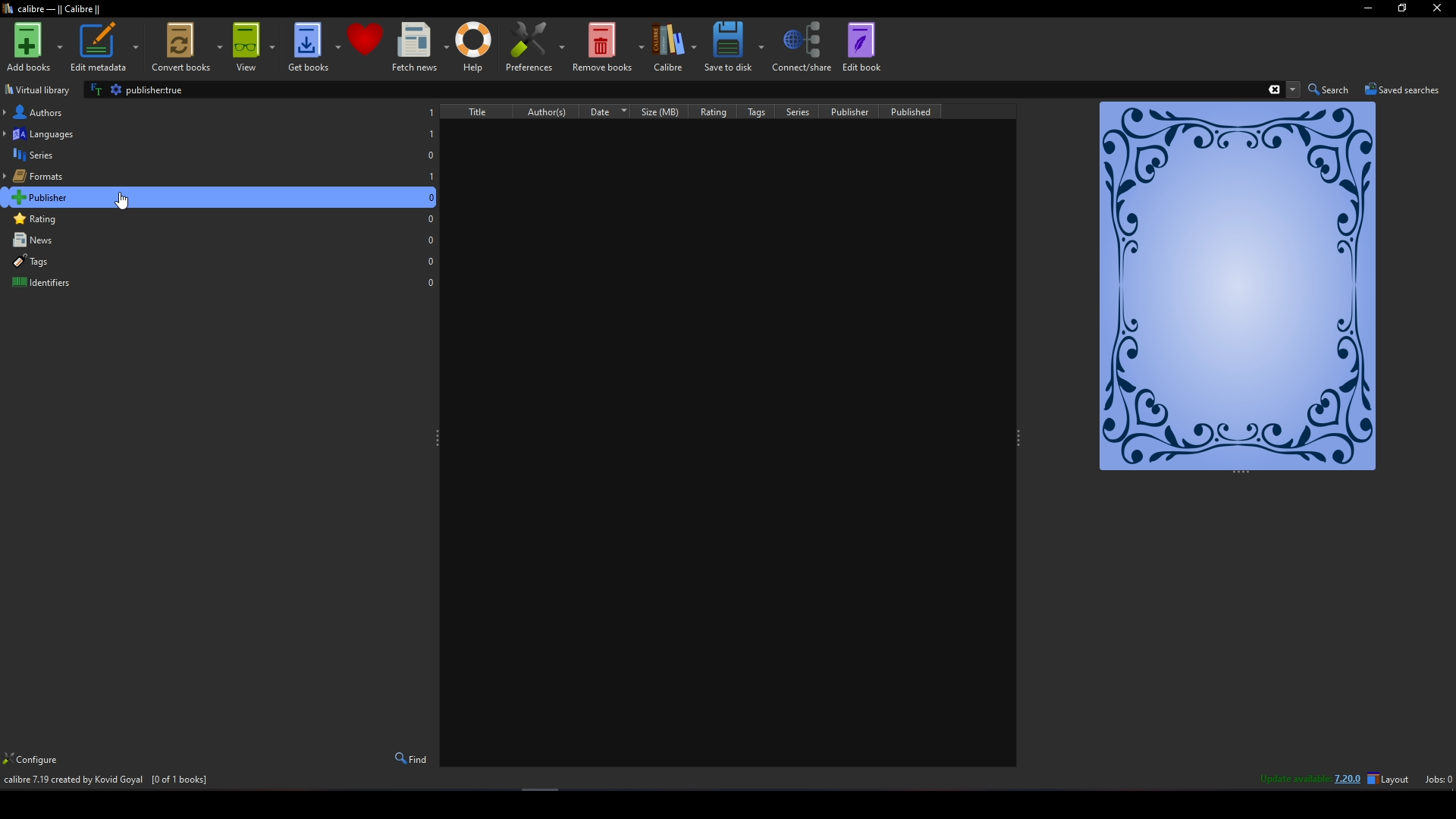 This screenshot has width=1456, height=819. What do you see at coordinates (221, 281) in the screenshot?
I see `Identifiers` at bounding box center [221, 281].